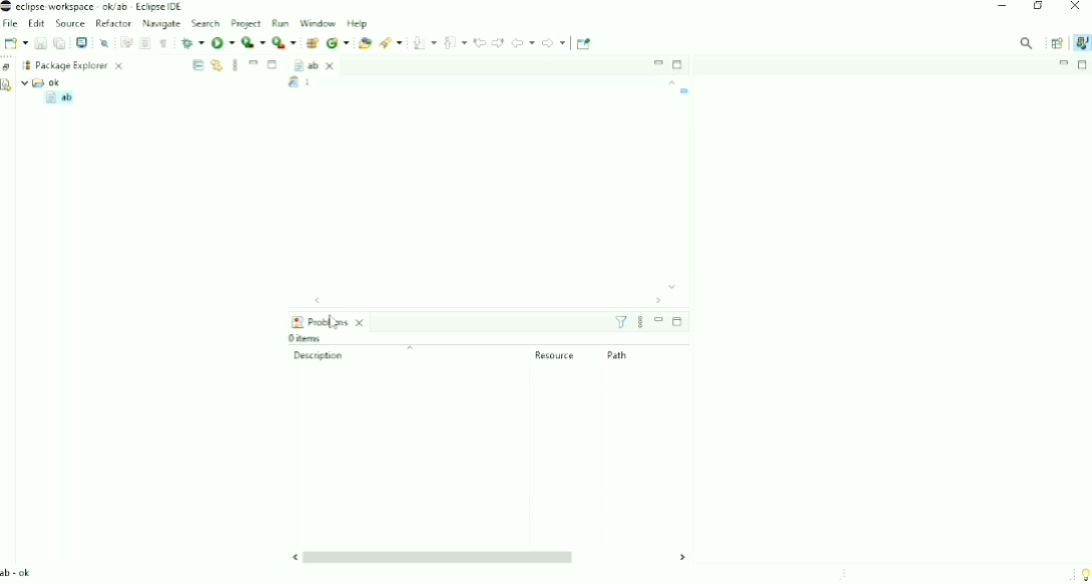 This screenshot has height=584, width=1092. Describe the element at coordinates (621, 322) in the screenshot. I see `Filters` at that location.